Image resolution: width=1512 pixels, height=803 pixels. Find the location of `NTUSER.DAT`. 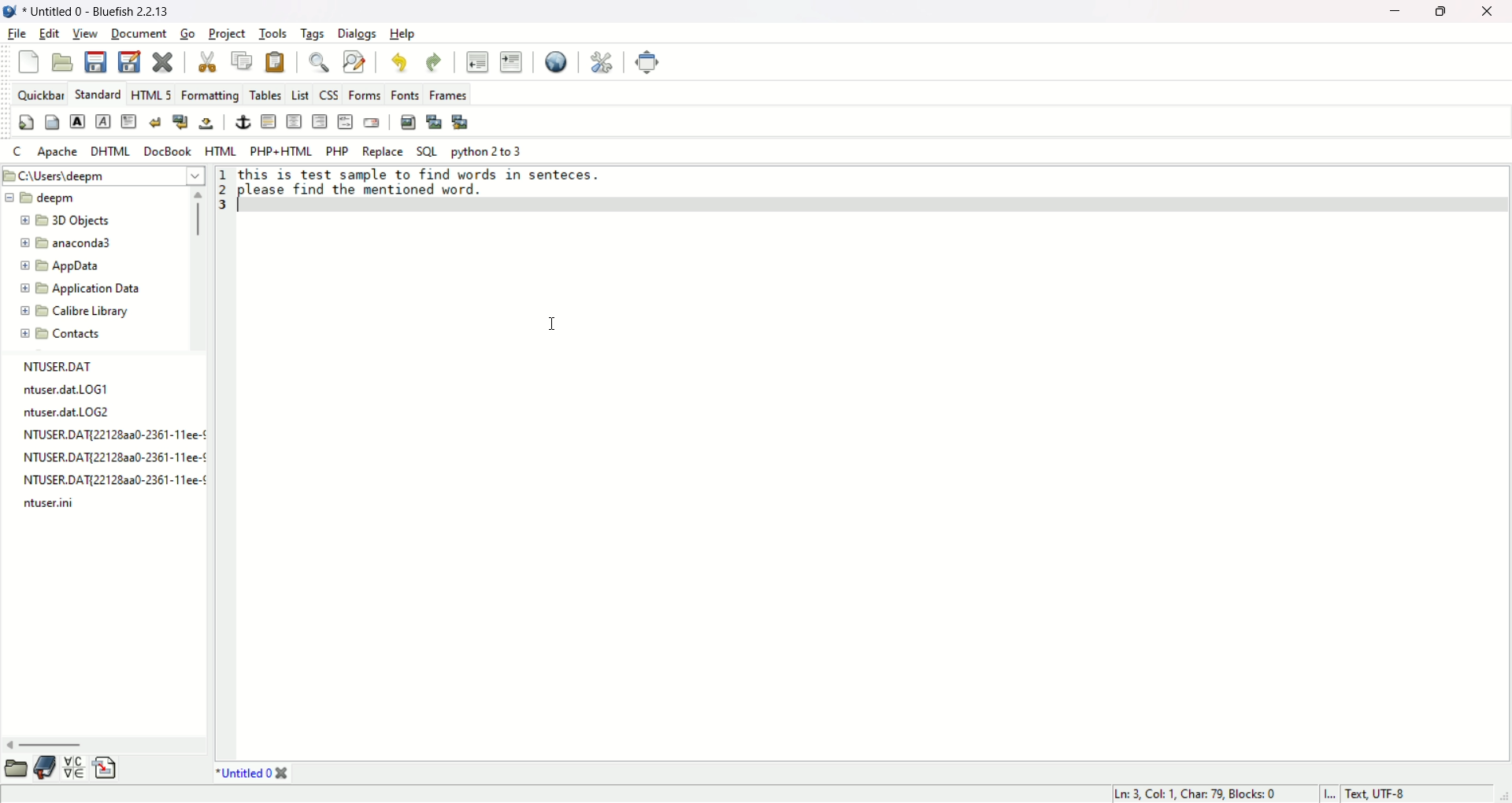

NTUSER.DAT is located at coordinates (62, 365).